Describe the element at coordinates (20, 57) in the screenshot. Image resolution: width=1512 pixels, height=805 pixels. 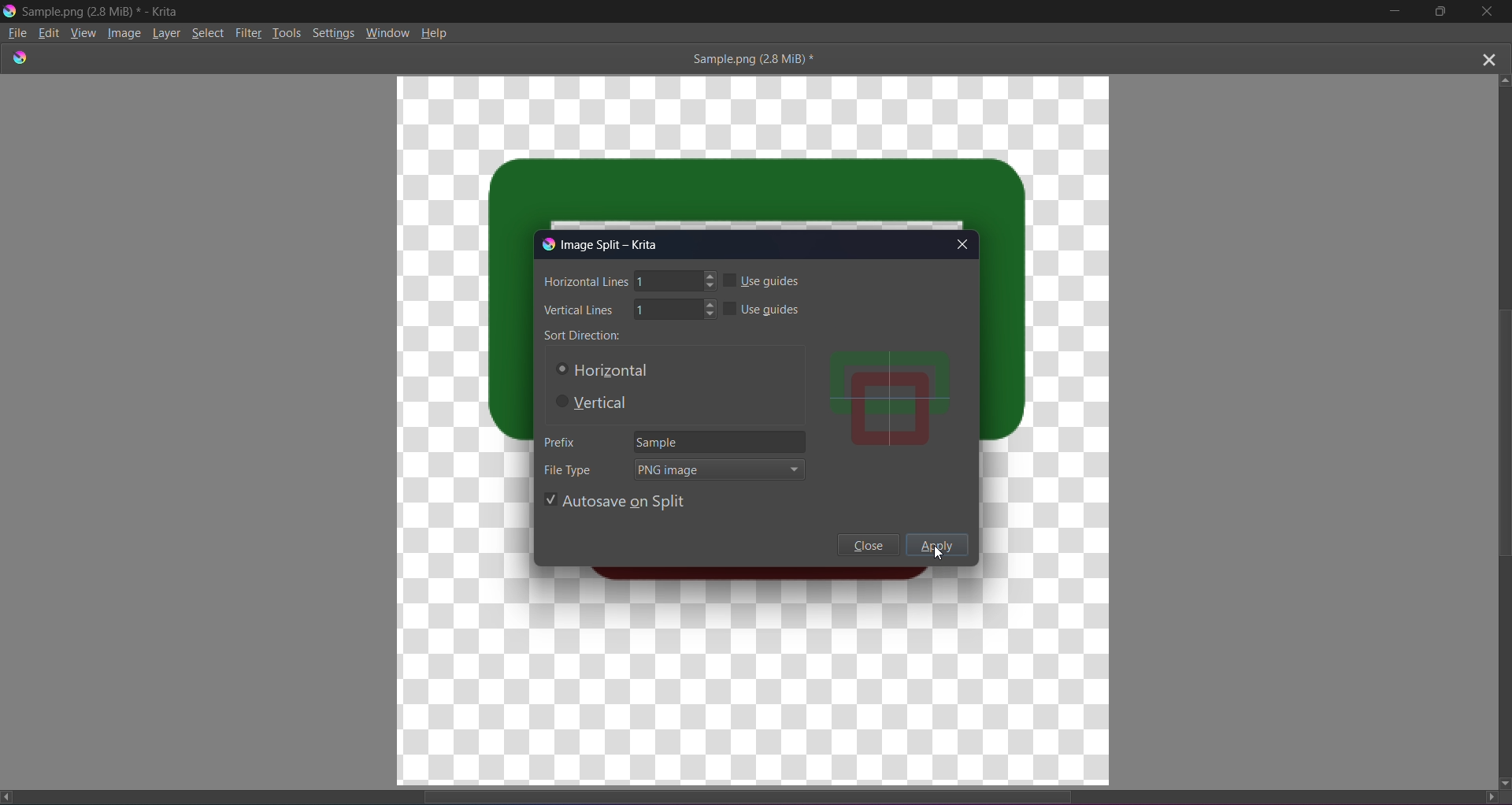
I see `logo` at that location.